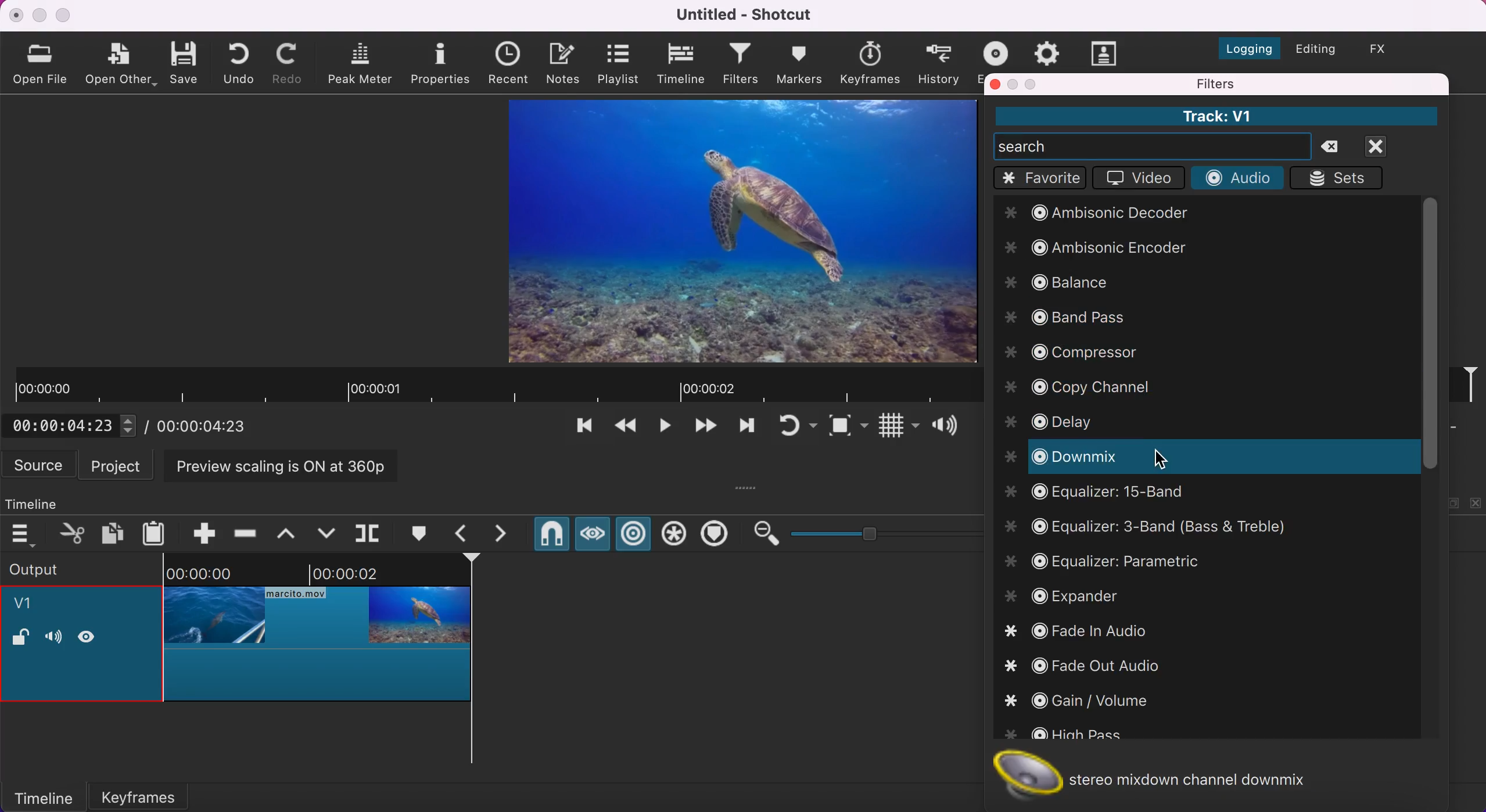 The width and height of the screenshot is (1486, 812). I want to click on exort, so click(999, 51).